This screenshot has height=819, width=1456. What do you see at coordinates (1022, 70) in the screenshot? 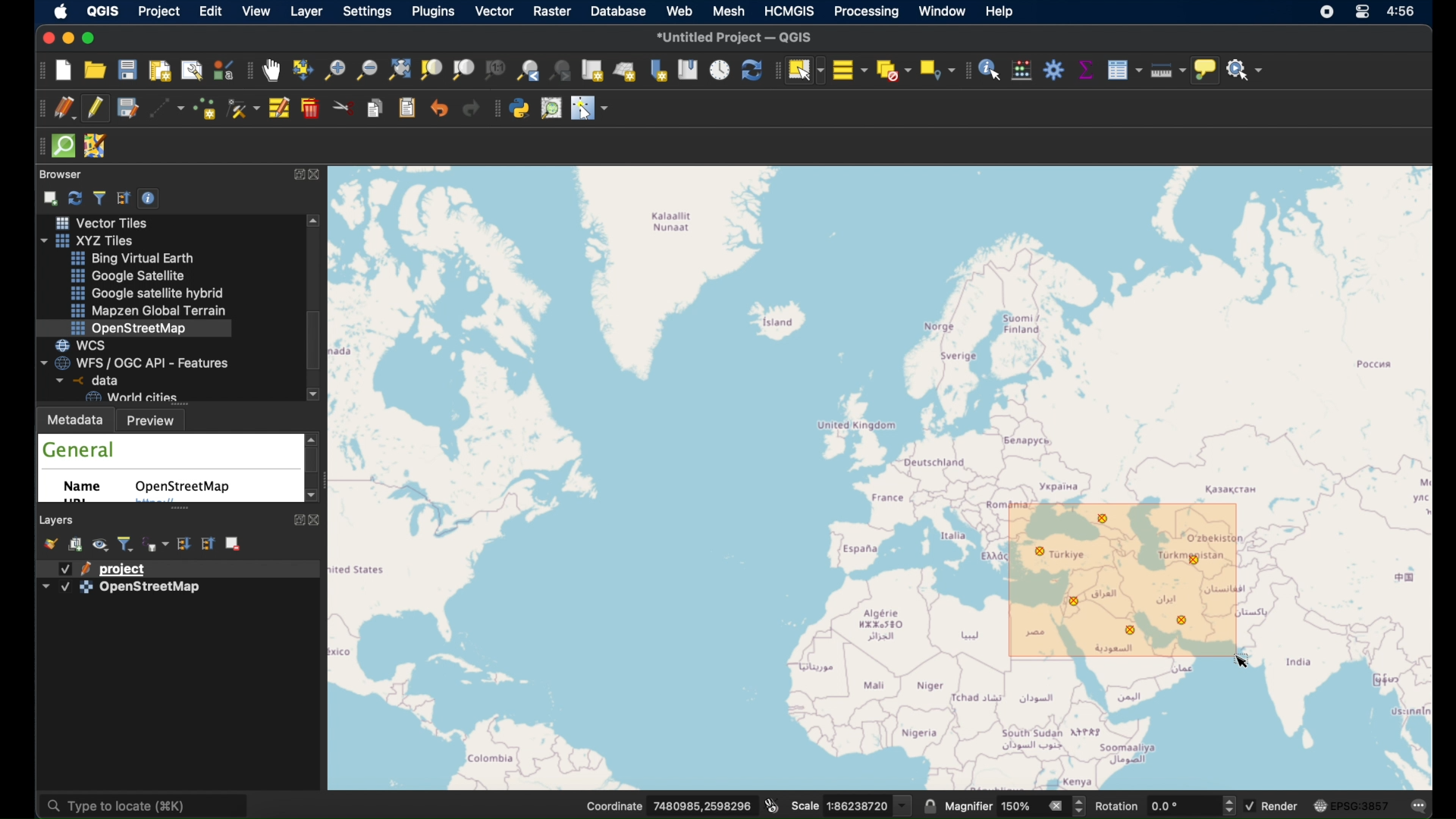
I see `open field calculator` at bounding box center [1022, 70].